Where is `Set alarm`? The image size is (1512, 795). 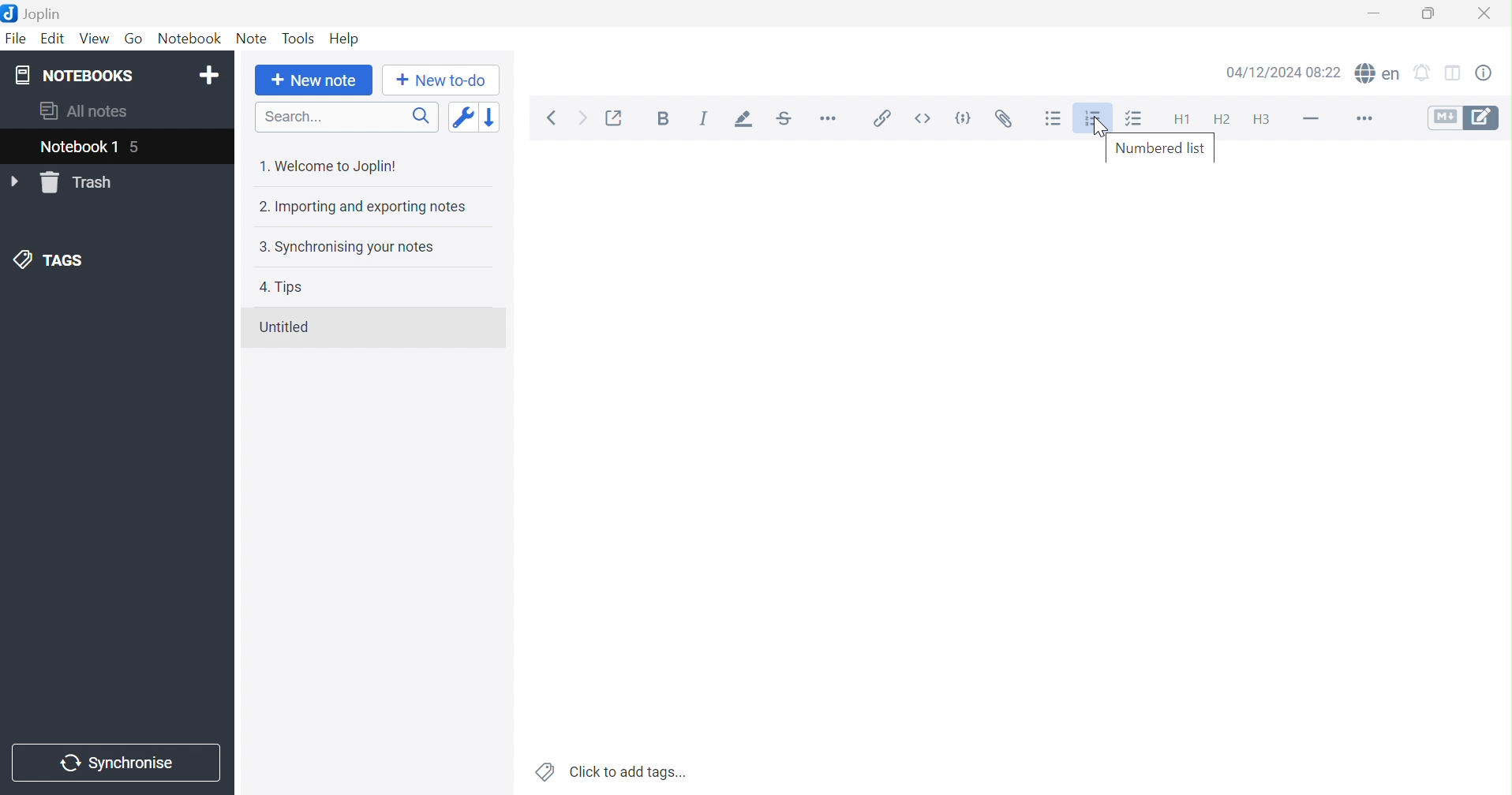 Set alarm is located at coordinates (1428, 70).